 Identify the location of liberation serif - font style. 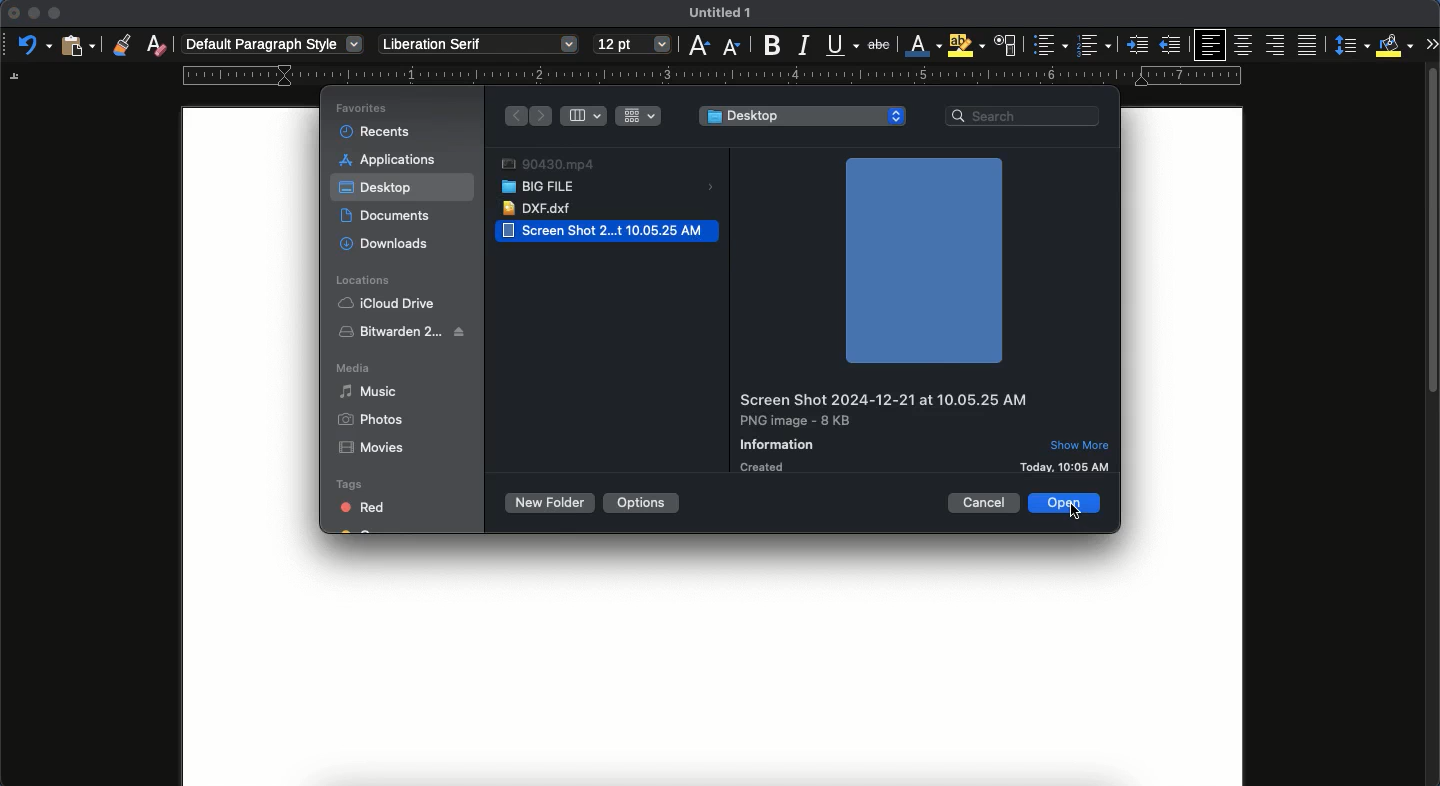
(479, 45).